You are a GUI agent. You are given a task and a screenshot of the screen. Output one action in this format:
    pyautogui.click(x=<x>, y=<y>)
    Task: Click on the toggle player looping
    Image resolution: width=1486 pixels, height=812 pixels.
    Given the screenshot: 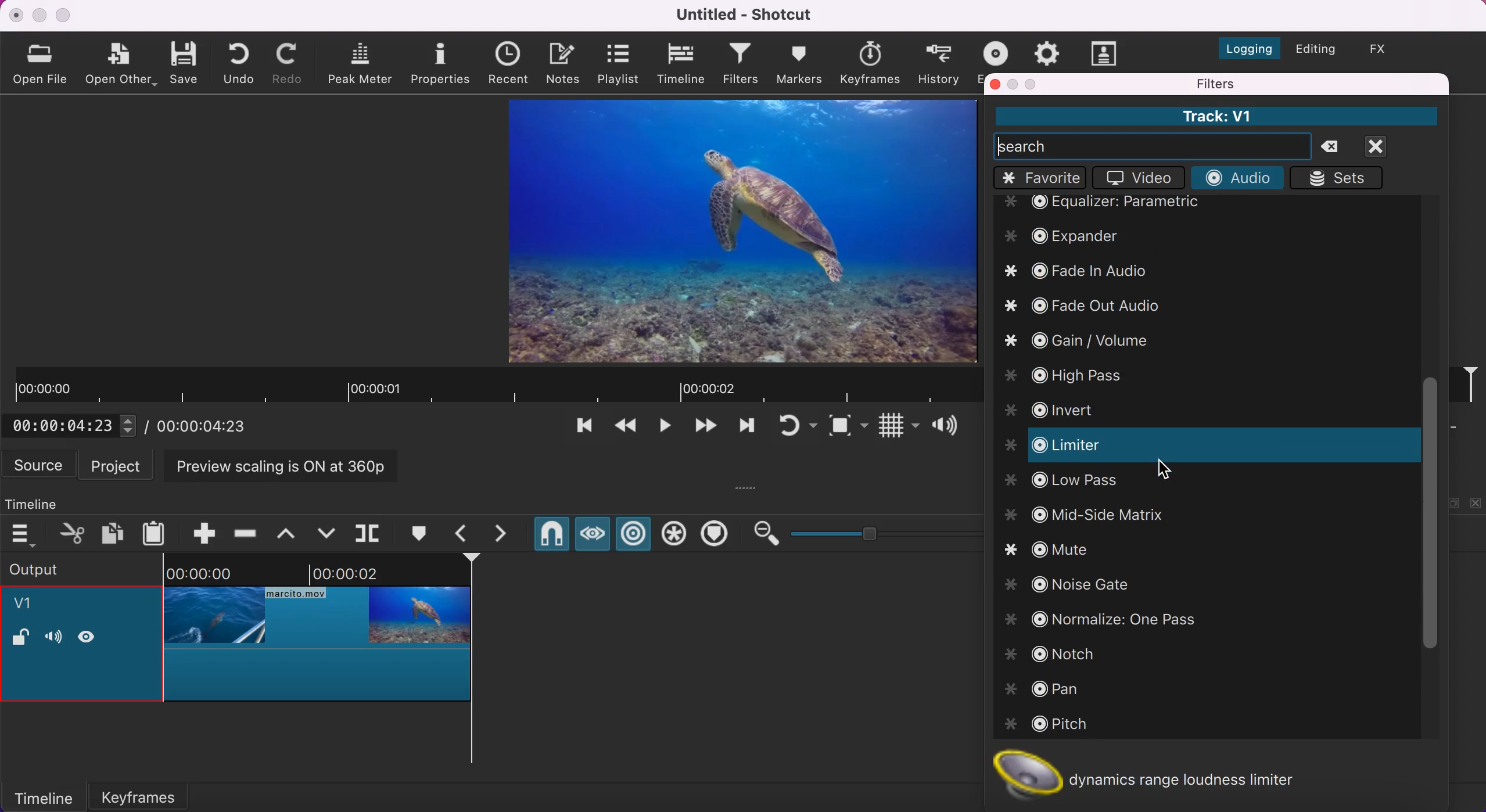 What is the action you would take?
    pyautogui.click(x=796, y=427)
    